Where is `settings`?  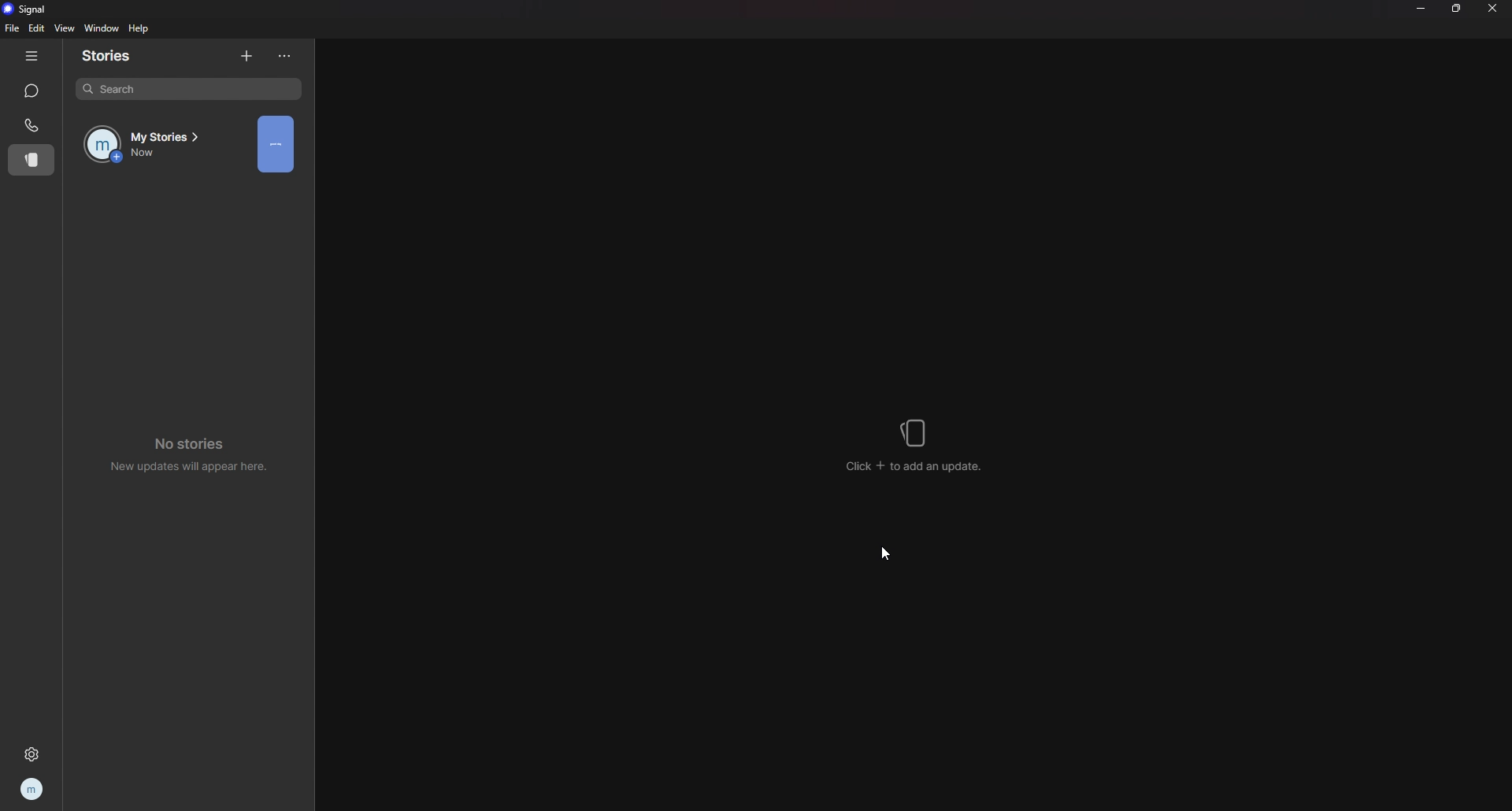 settings is located at coordinates (34, 751).